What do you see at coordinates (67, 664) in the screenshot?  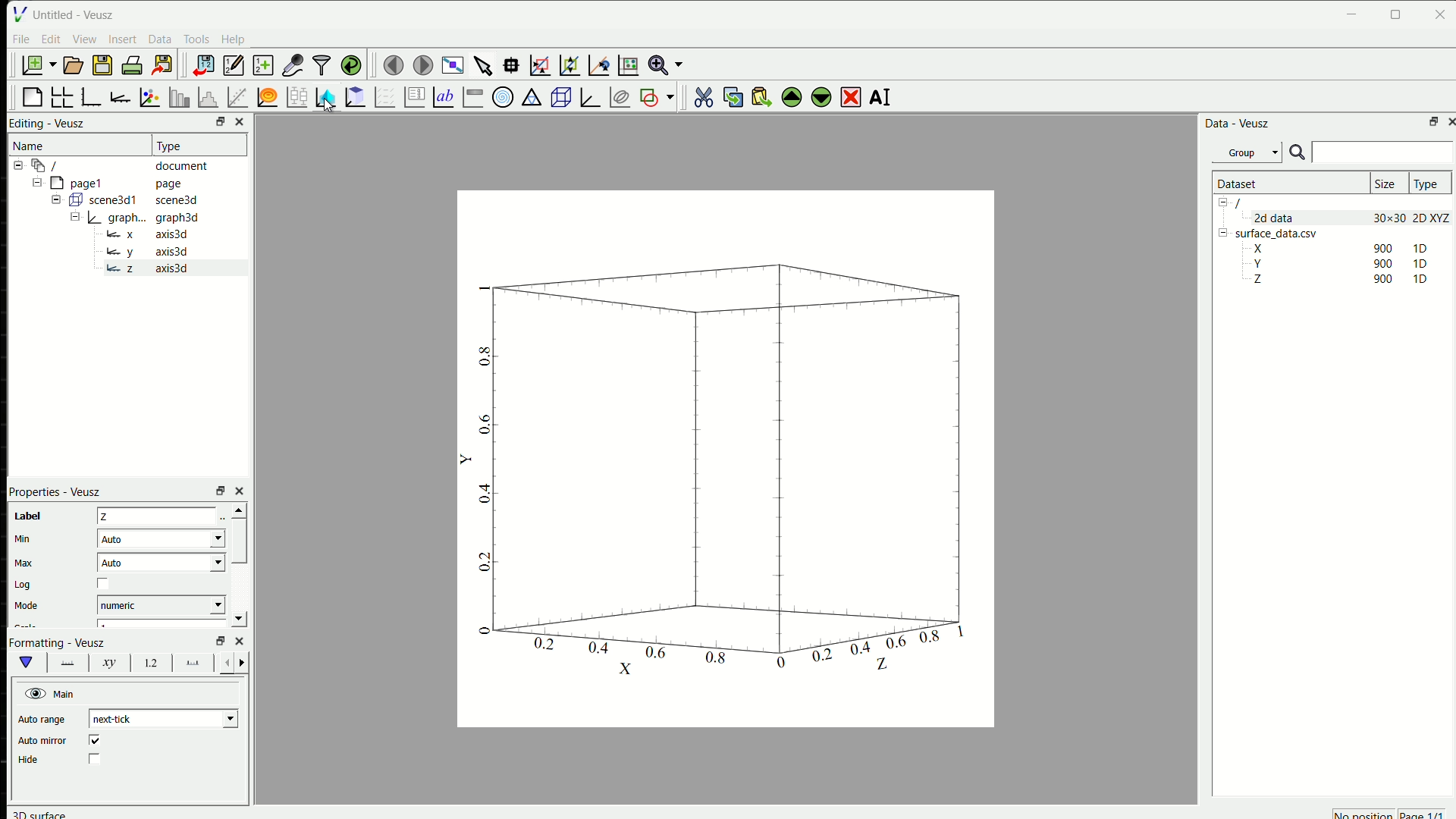 I see `graph axes` at bounding box center [67, 664].